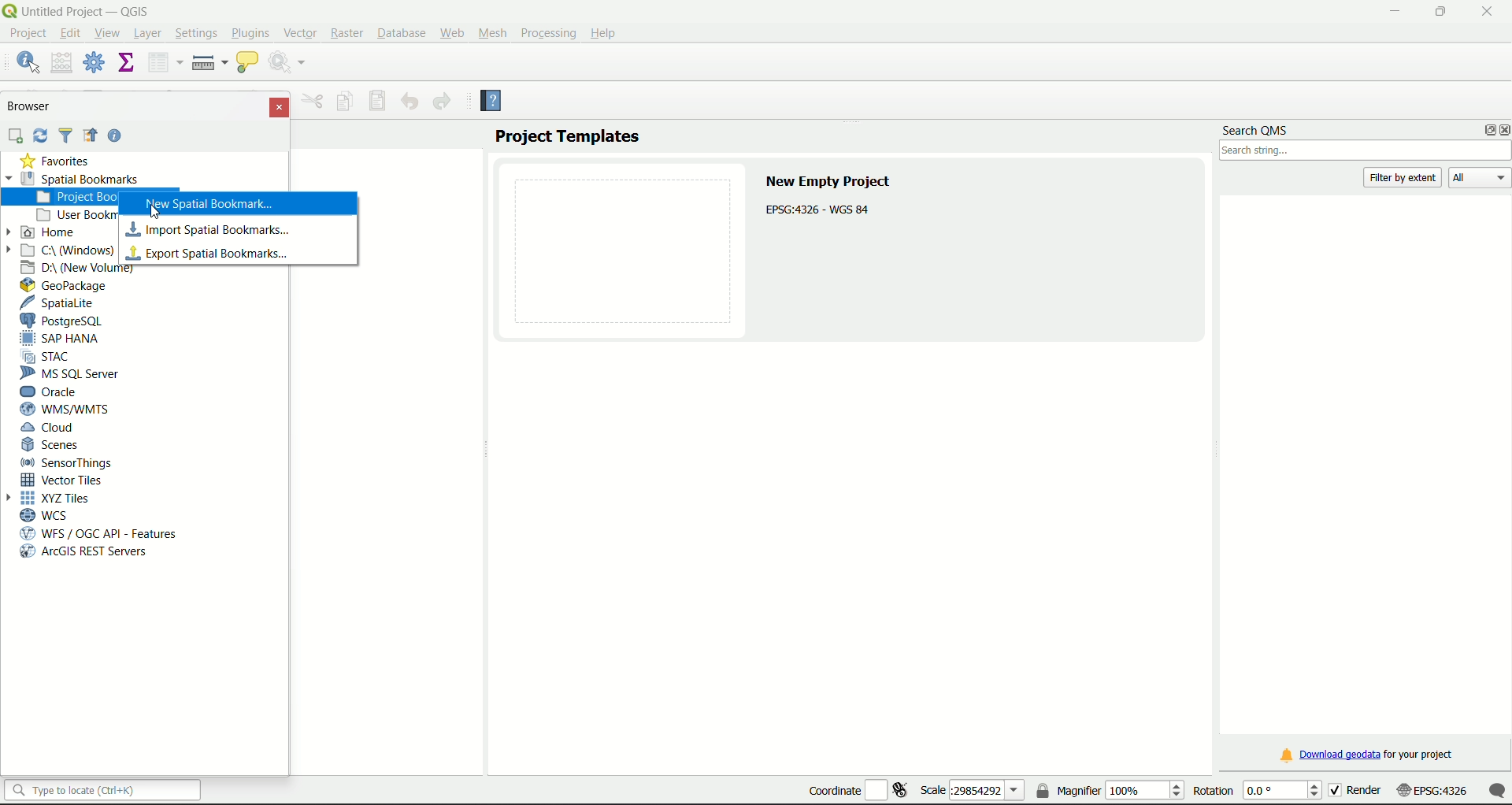 The height and width of the screenshot is (805, 1512). What do you see at coordinates (61, 303) in the screenshot?
I see `SpatiaLite` at bounding box center [61, 303].